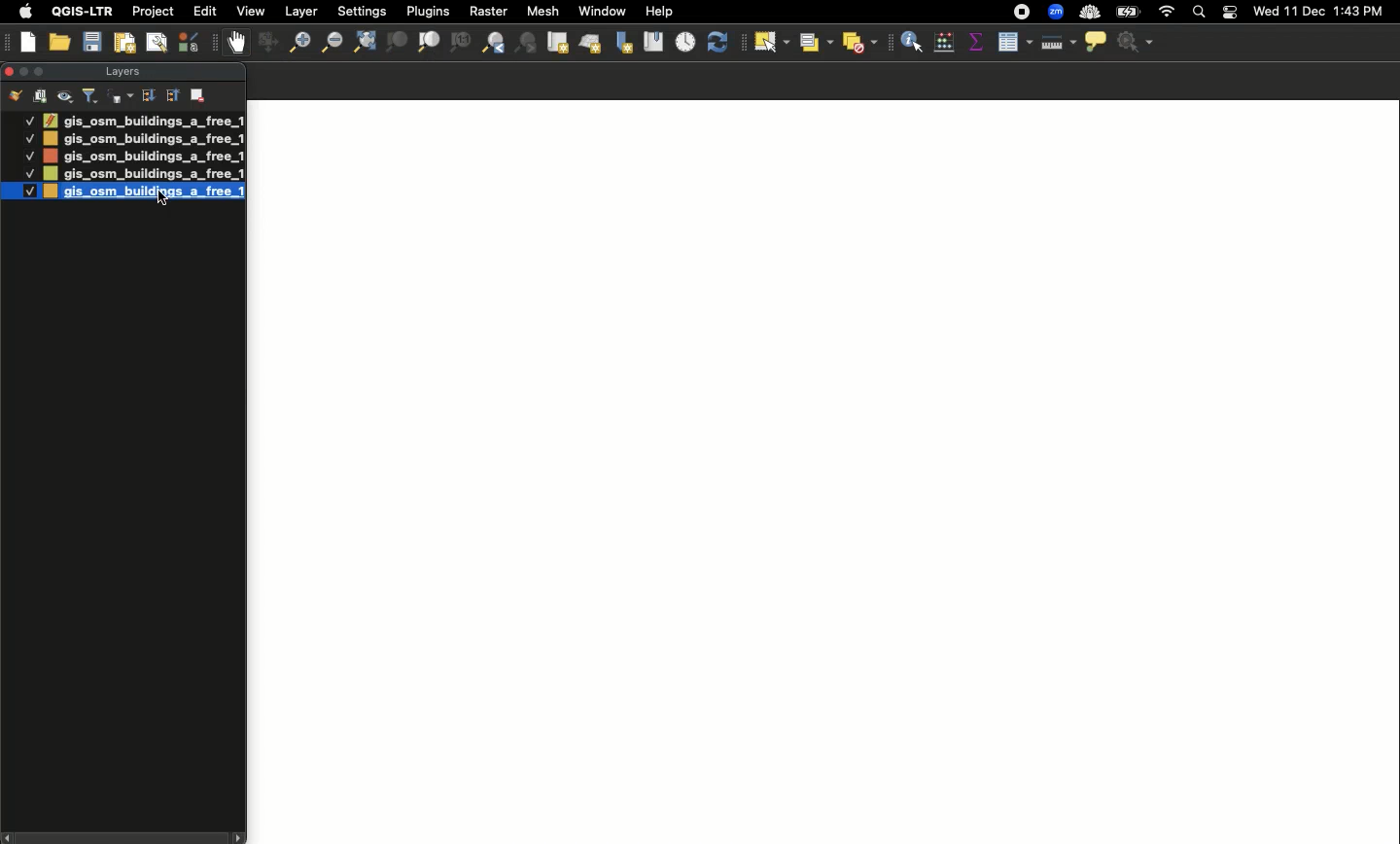  Describe the element at coordinates (721, 43) in the screenshot. I see `Refresh` at that location.